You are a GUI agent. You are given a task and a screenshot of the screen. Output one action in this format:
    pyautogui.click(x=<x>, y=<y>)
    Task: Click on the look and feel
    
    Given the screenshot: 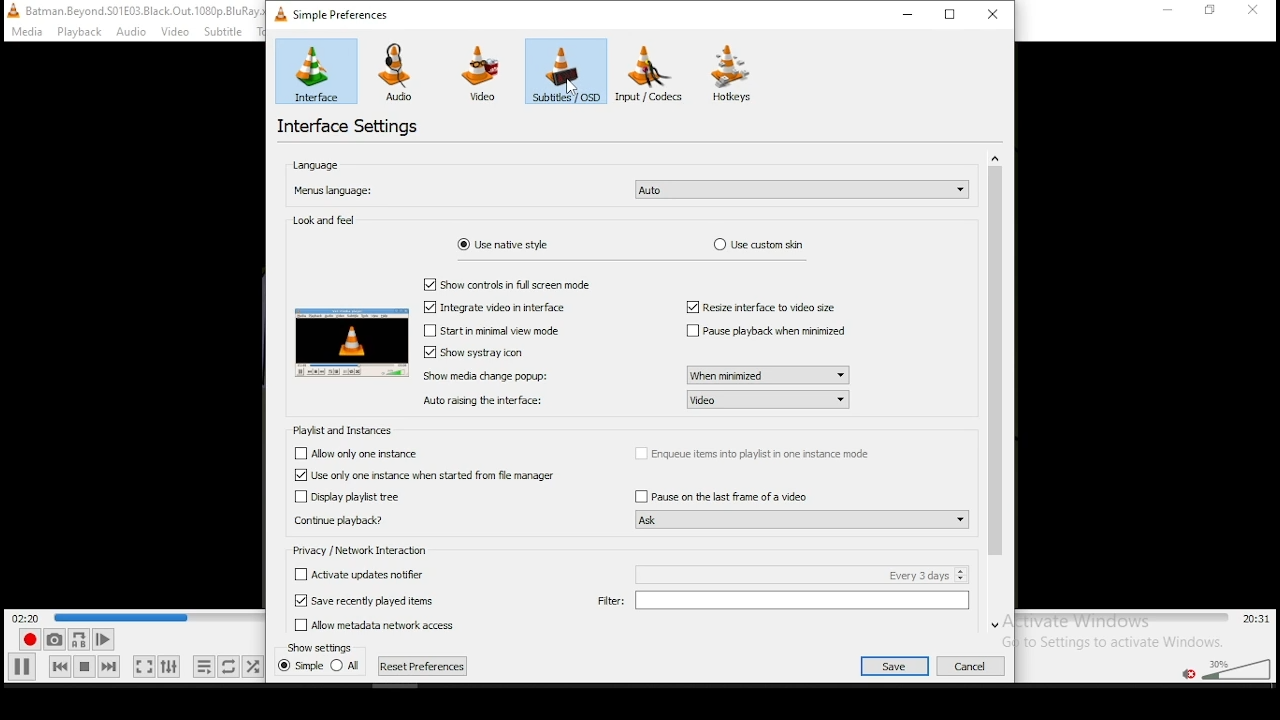 What is the action you would take?
    pyautogui.click(x=324, y=220)
    